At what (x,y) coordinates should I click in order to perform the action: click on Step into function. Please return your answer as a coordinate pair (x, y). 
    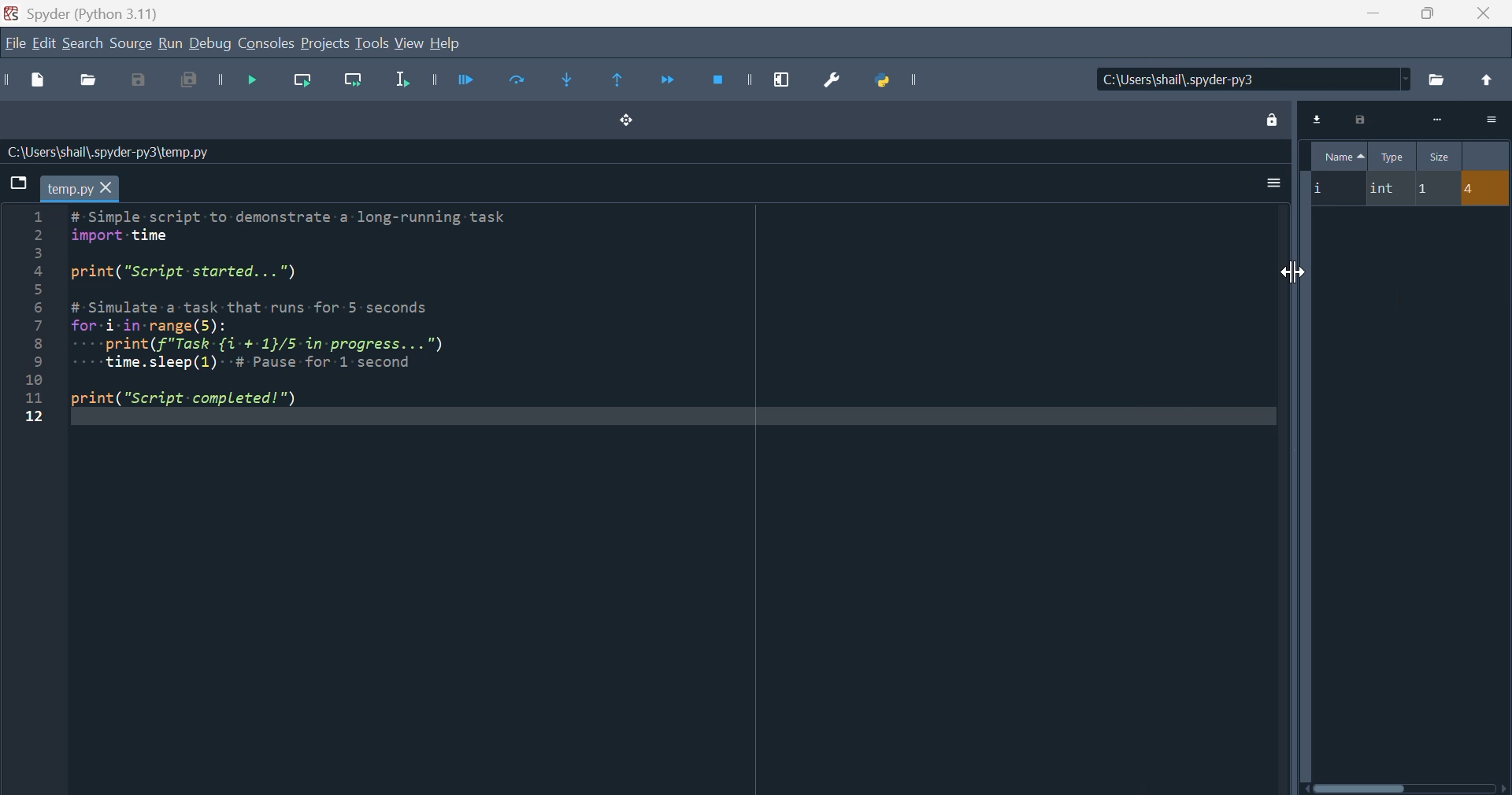
    Looking at the image, I should click on (573, 81).